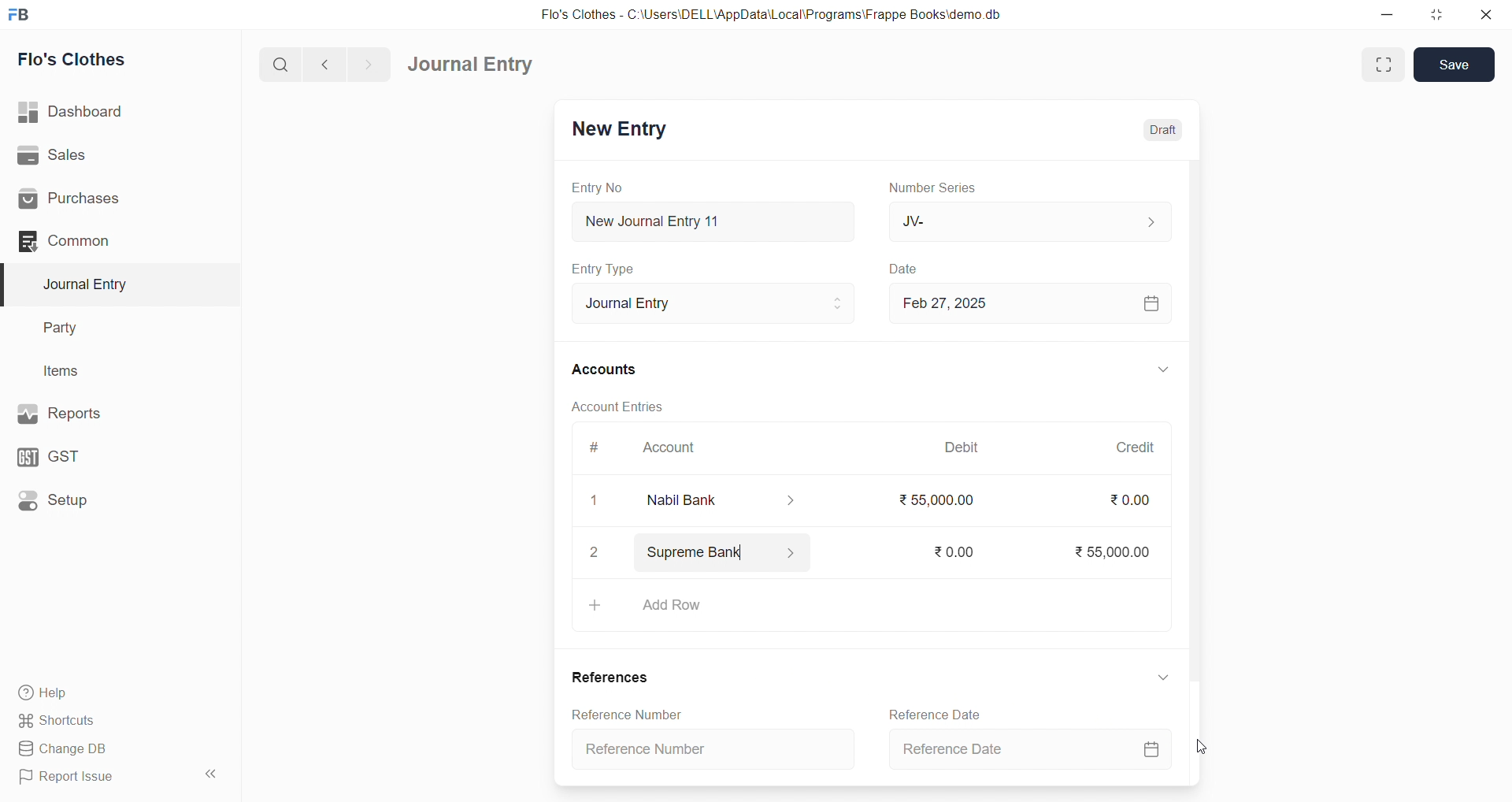  Describe the element at coordinates (24, 13) in the screenshot. I see `logo` at that location.